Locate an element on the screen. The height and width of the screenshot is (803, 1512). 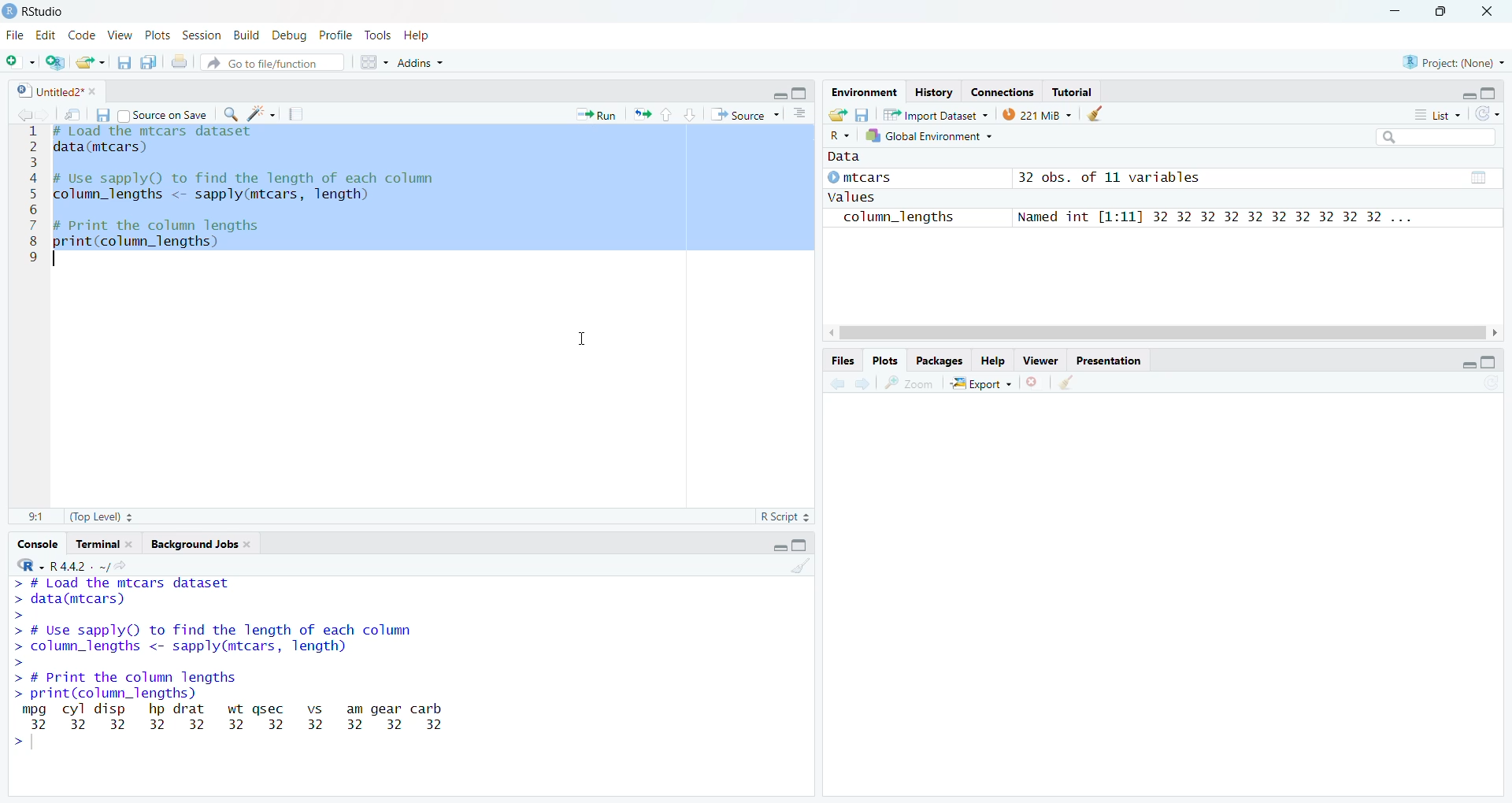
Next plot is located at coordinates (865, 382).